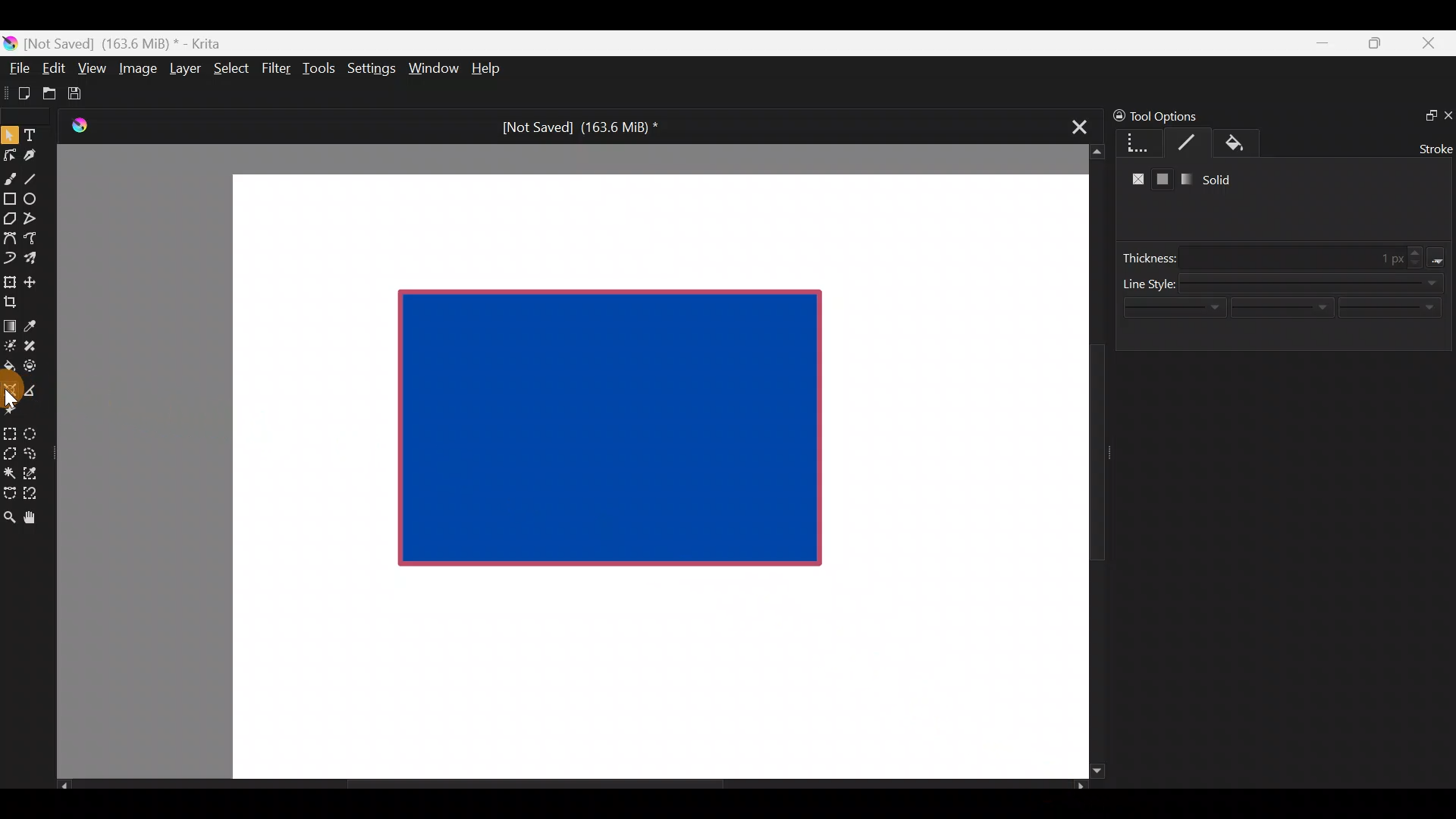 The image size is (1456, 819). I want to click on Help, so click(488, 70).